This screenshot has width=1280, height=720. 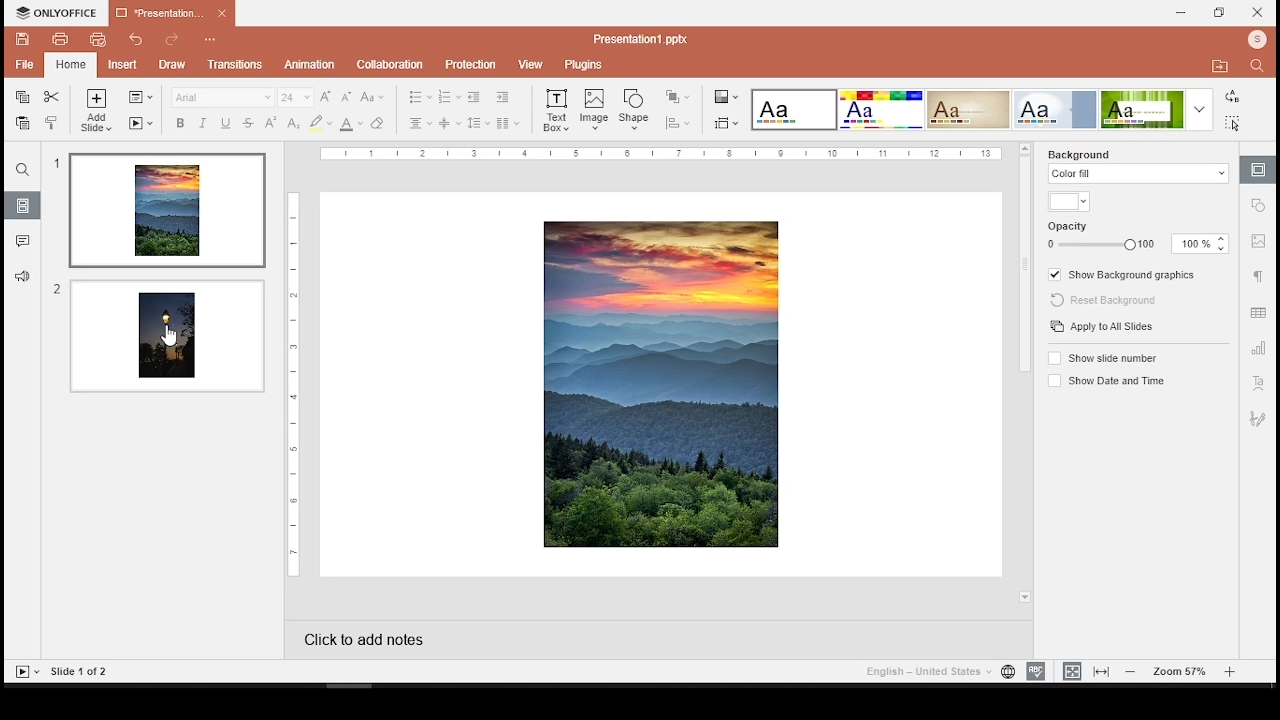 What do you see at coordinates (1137, 243) in the screenshot?
I see `opacity` at bounding box center [1137, 243].